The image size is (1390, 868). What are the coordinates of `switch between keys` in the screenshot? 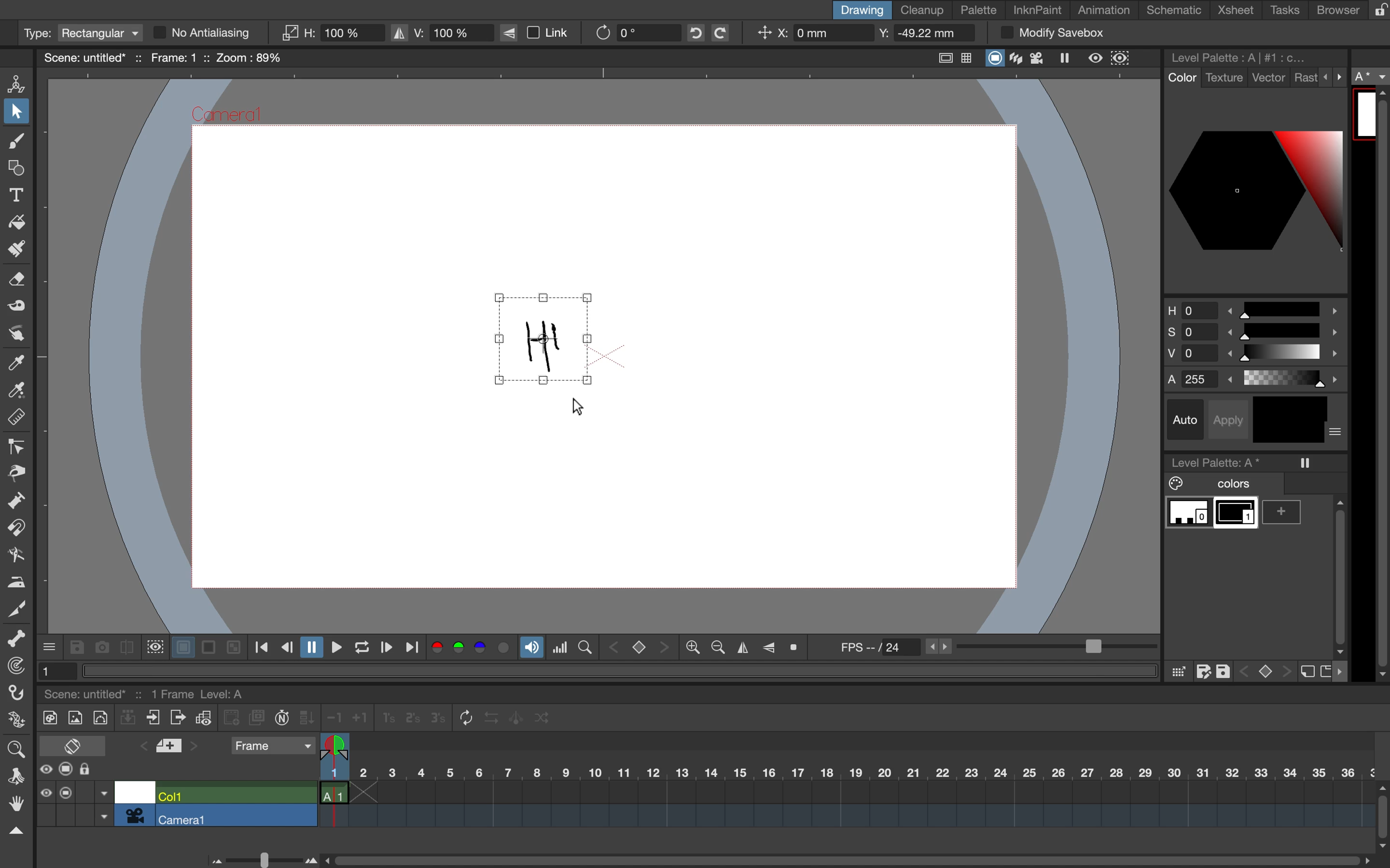 It's located at (638, 646).